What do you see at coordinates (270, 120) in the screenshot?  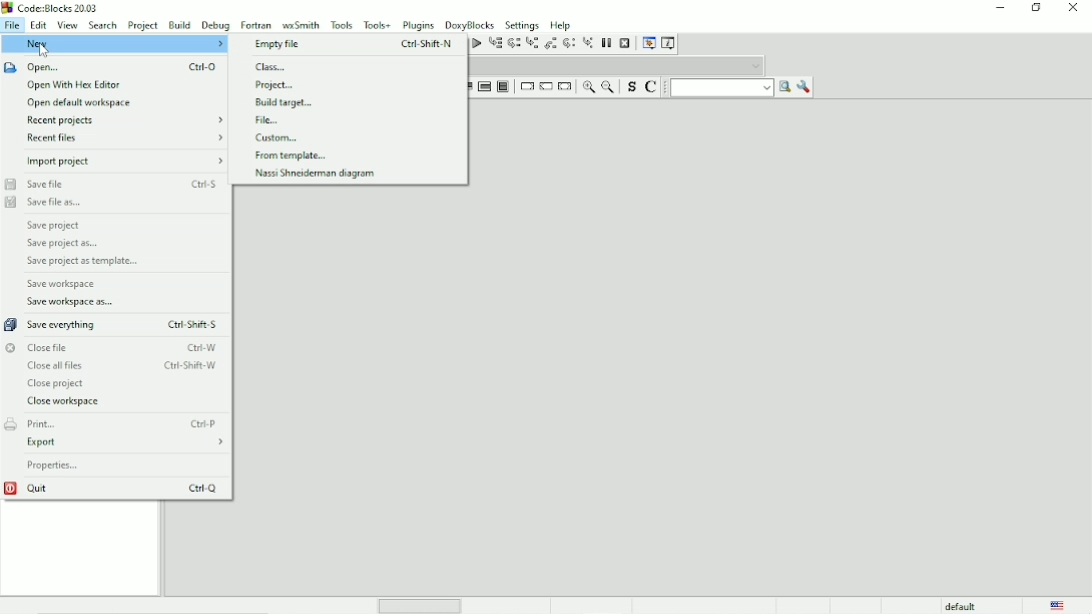 I see `File` at bounding box center [270, 120].